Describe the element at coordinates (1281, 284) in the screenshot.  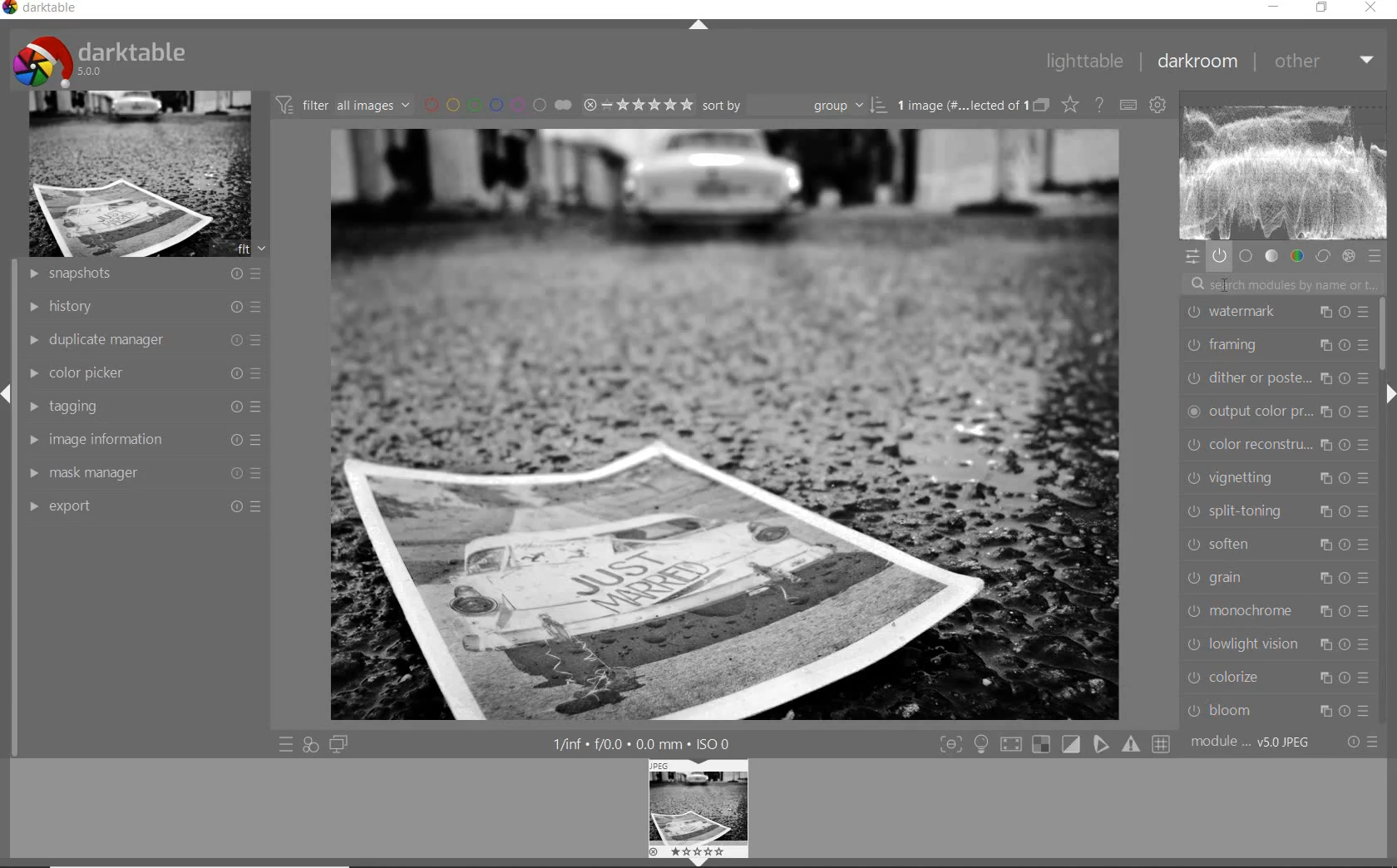
I see `search module` at that location.